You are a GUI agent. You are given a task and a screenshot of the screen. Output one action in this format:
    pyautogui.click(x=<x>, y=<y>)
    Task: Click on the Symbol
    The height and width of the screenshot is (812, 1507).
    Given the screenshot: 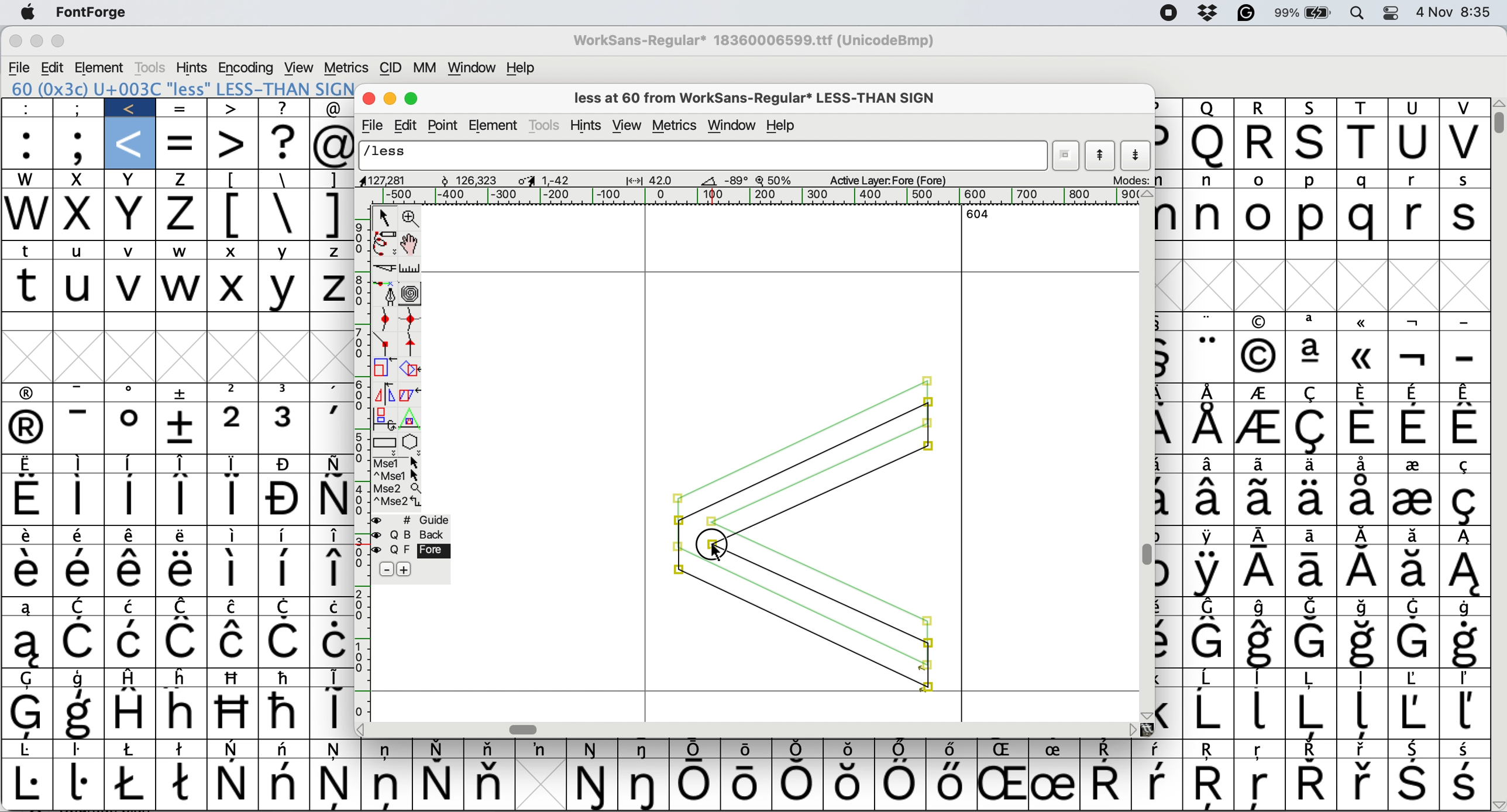 What is the action you would take?
    pyautogui.click(x=1413, y=358)
    